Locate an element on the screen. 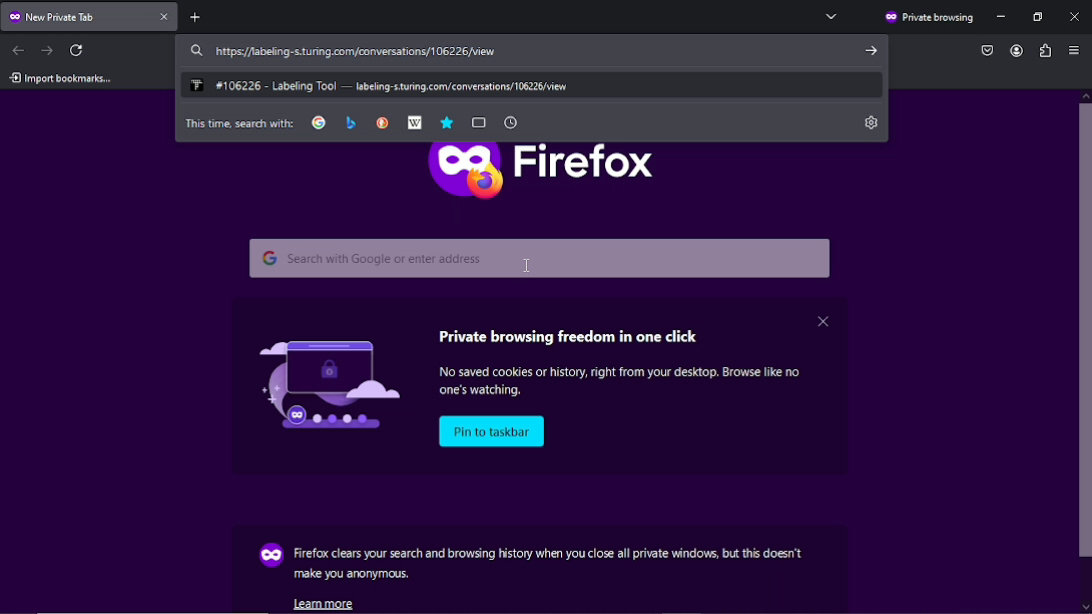 Image resolution: width=1092 pixels, height=614 pixels. add tab is located at coordinates (204, 16).